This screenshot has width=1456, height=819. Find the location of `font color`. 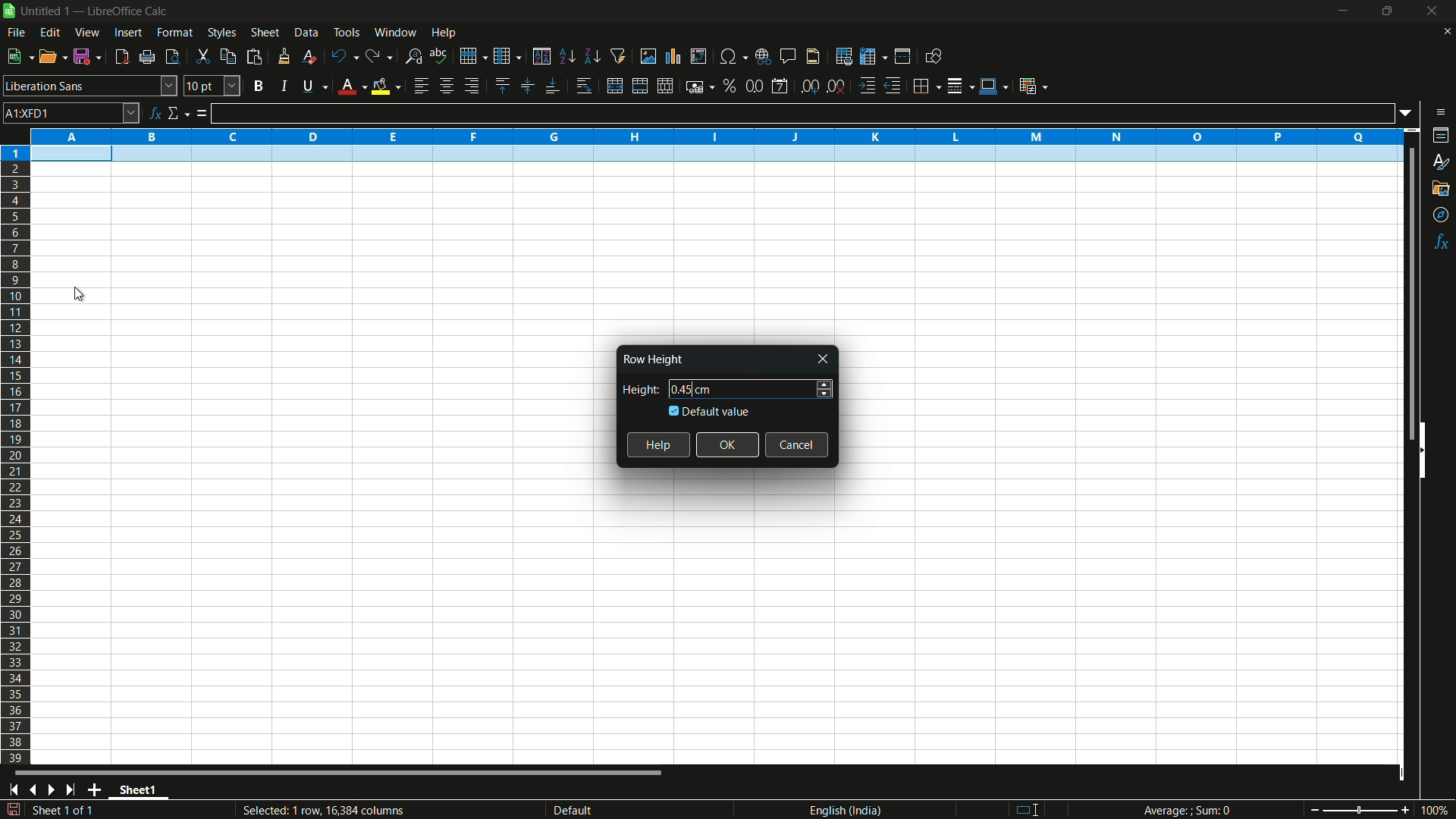

font color is located at coordinates (350, 87).